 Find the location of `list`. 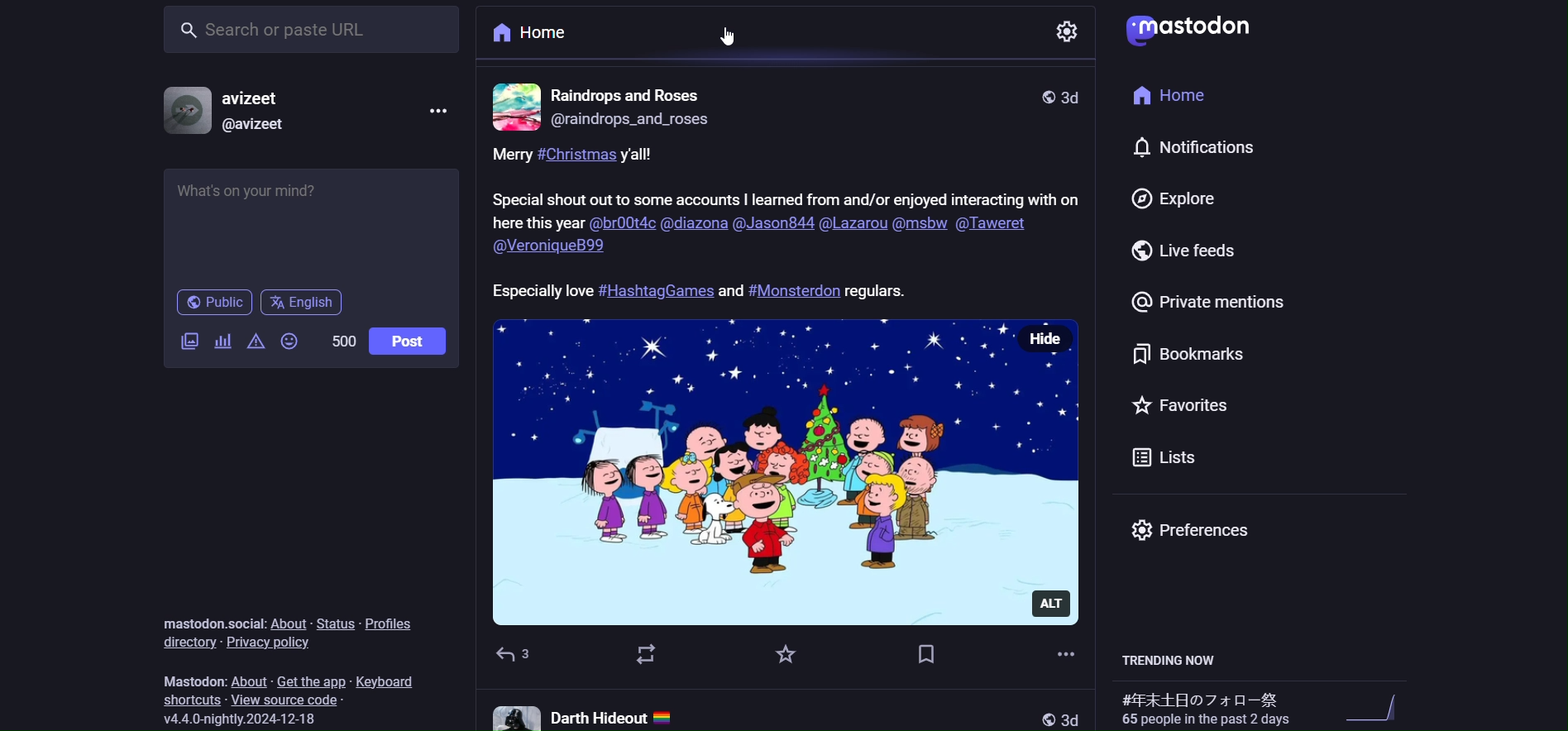

list is located at coordinates (1177, 459).